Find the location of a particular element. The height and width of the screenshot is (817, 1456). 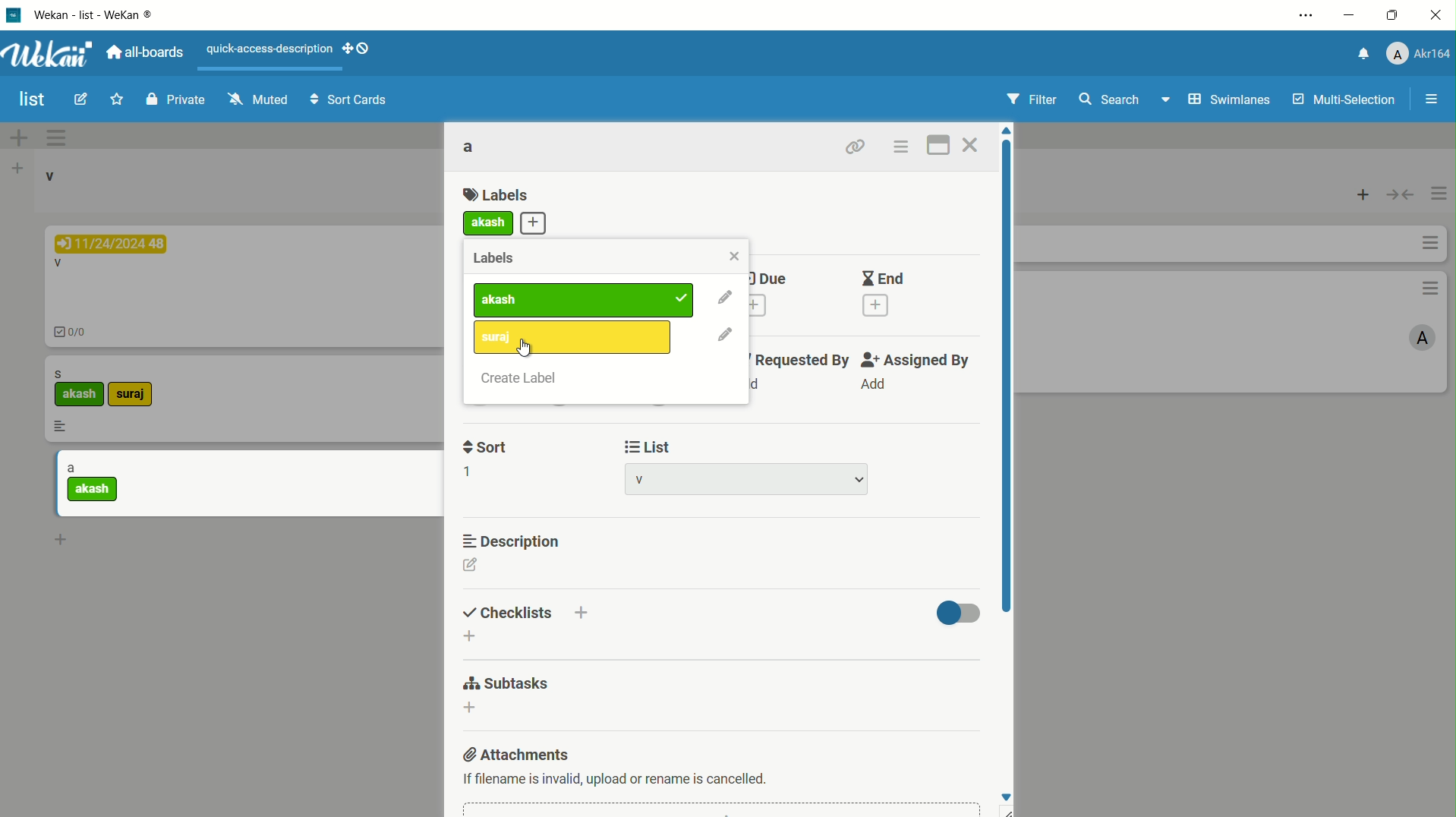

v is located at coordinates (56, 180).